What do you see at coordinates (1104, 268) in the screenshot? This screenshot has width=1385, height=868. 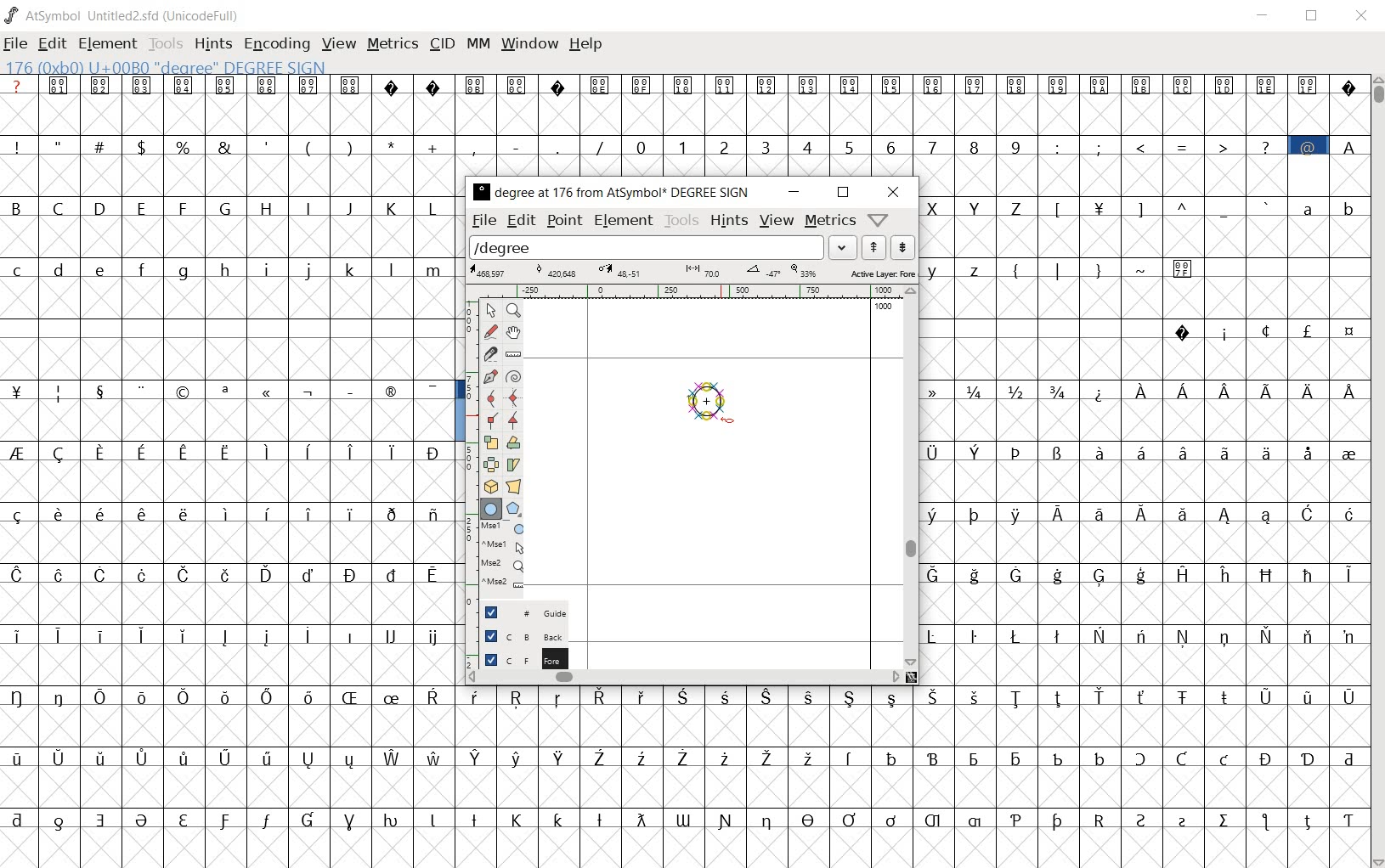 I see `symbols` at bounding box center [1104, 268].